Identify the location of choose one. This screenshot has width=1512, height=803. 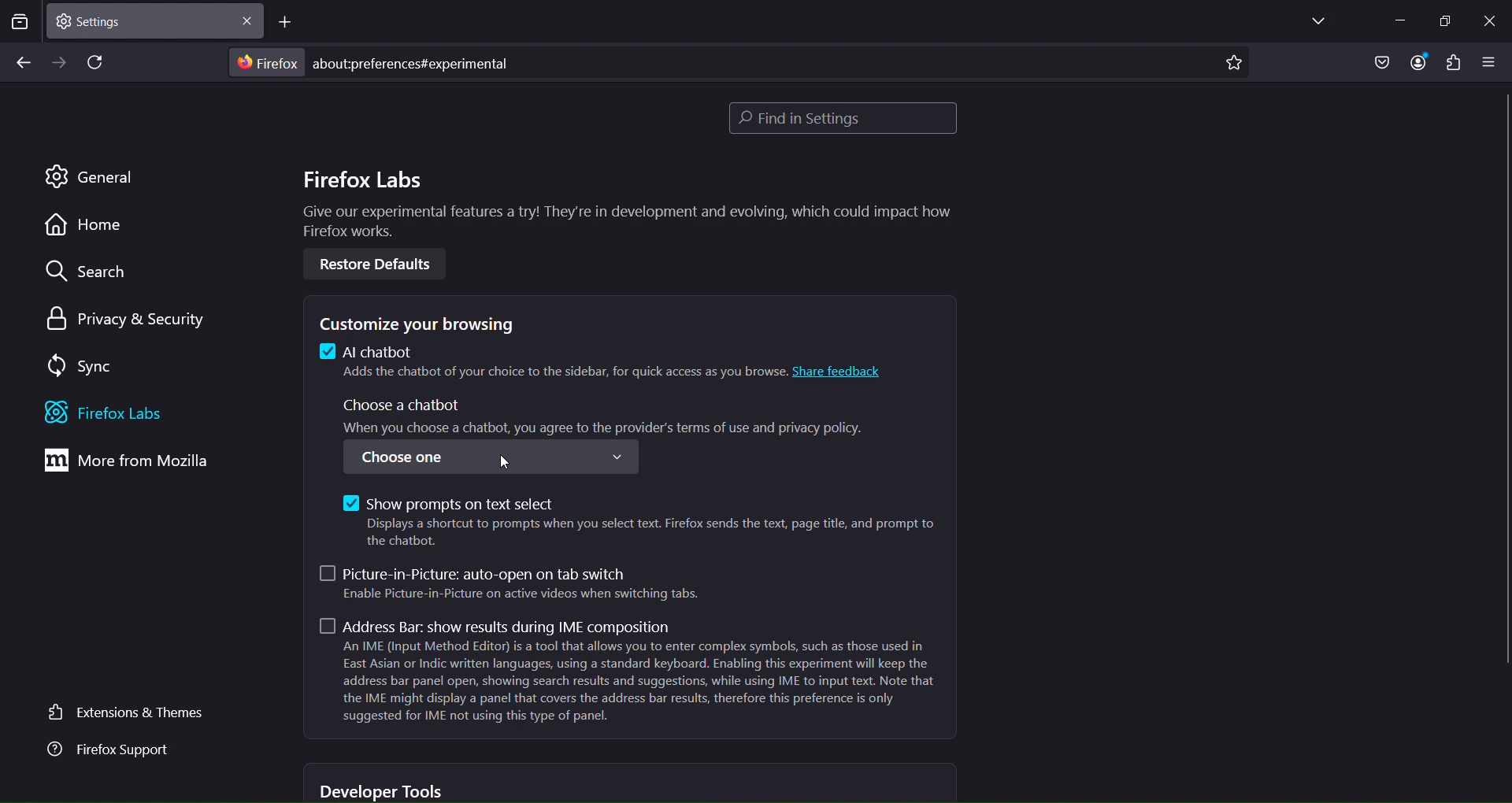
(489, 457).